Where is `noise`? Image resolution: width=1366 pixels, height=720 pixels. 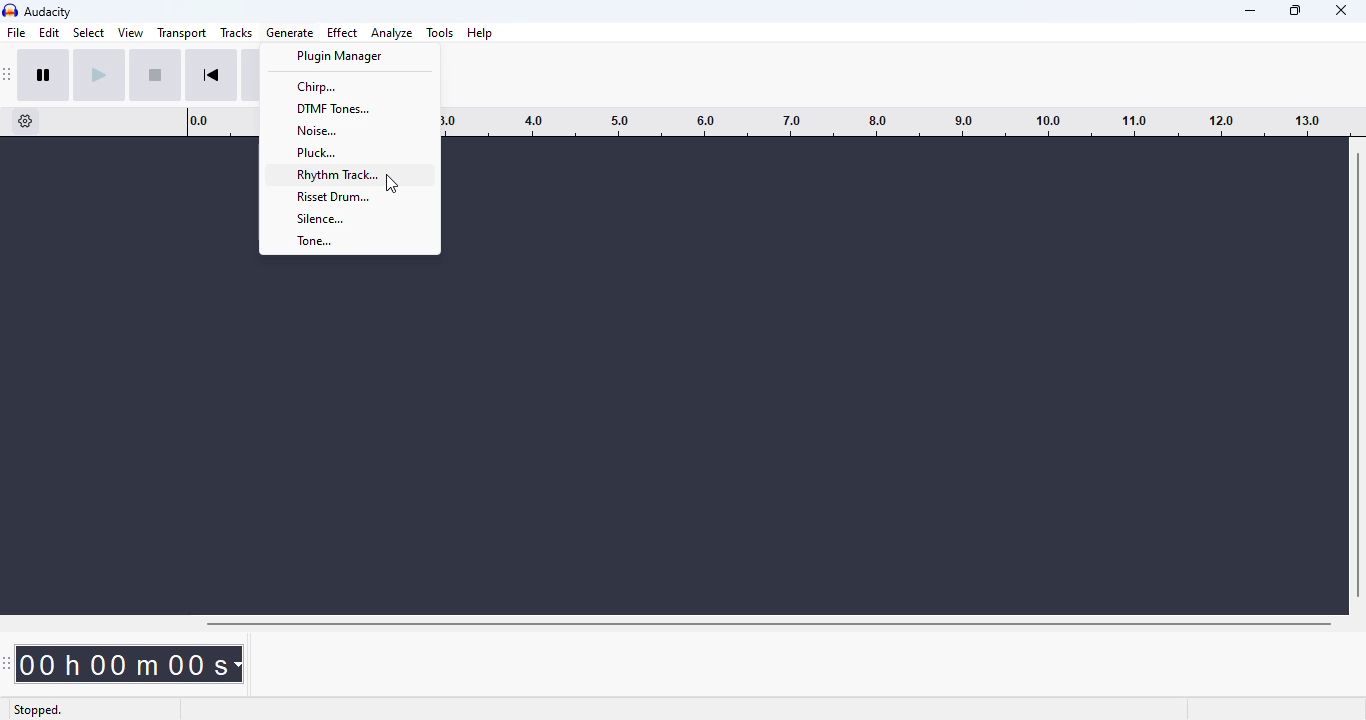 noise is located at coordinates (346, 130).